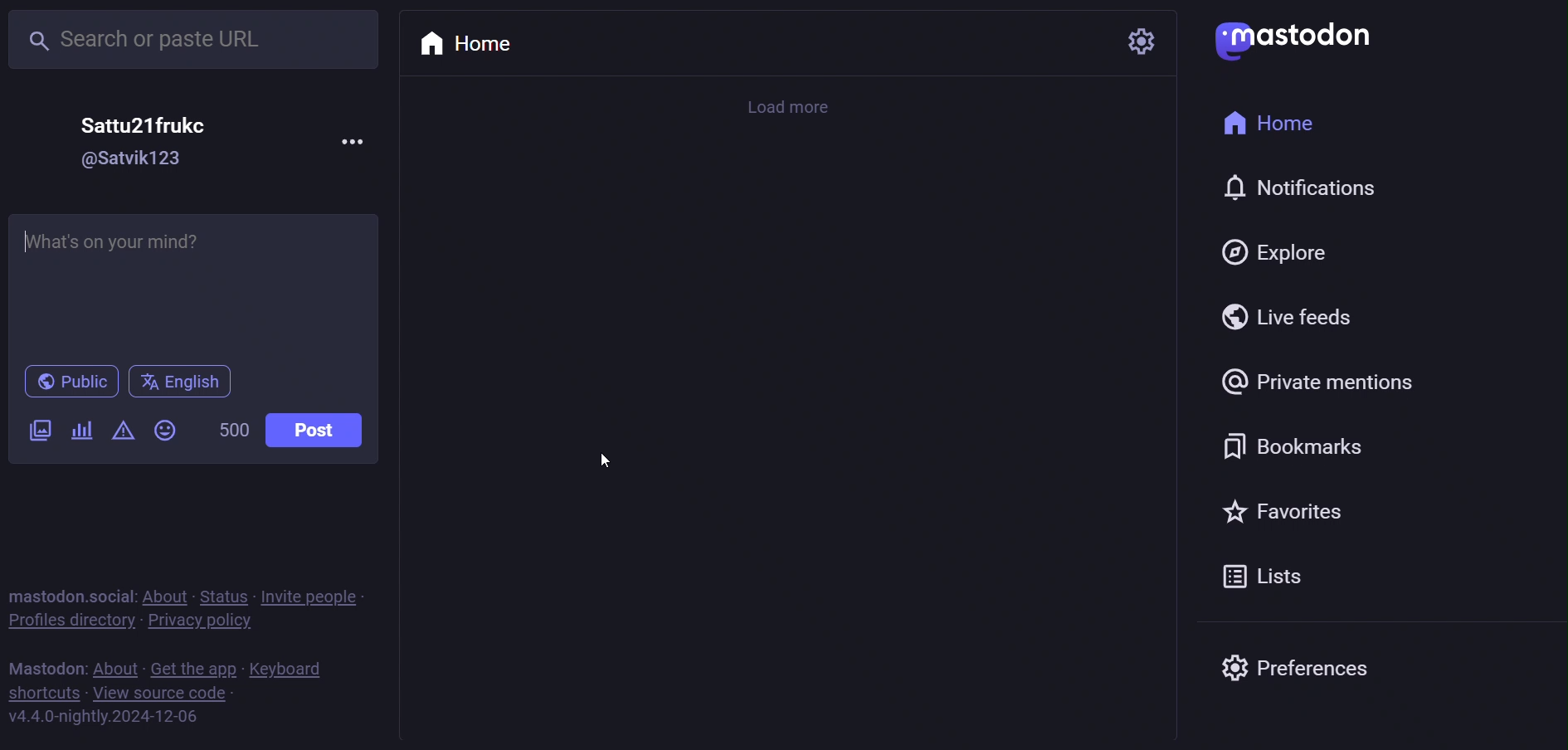 This screenshot has width=1568, height=750. Describe the element at coordinates (1301, 126) in the screenshot. I see `home` at that location.